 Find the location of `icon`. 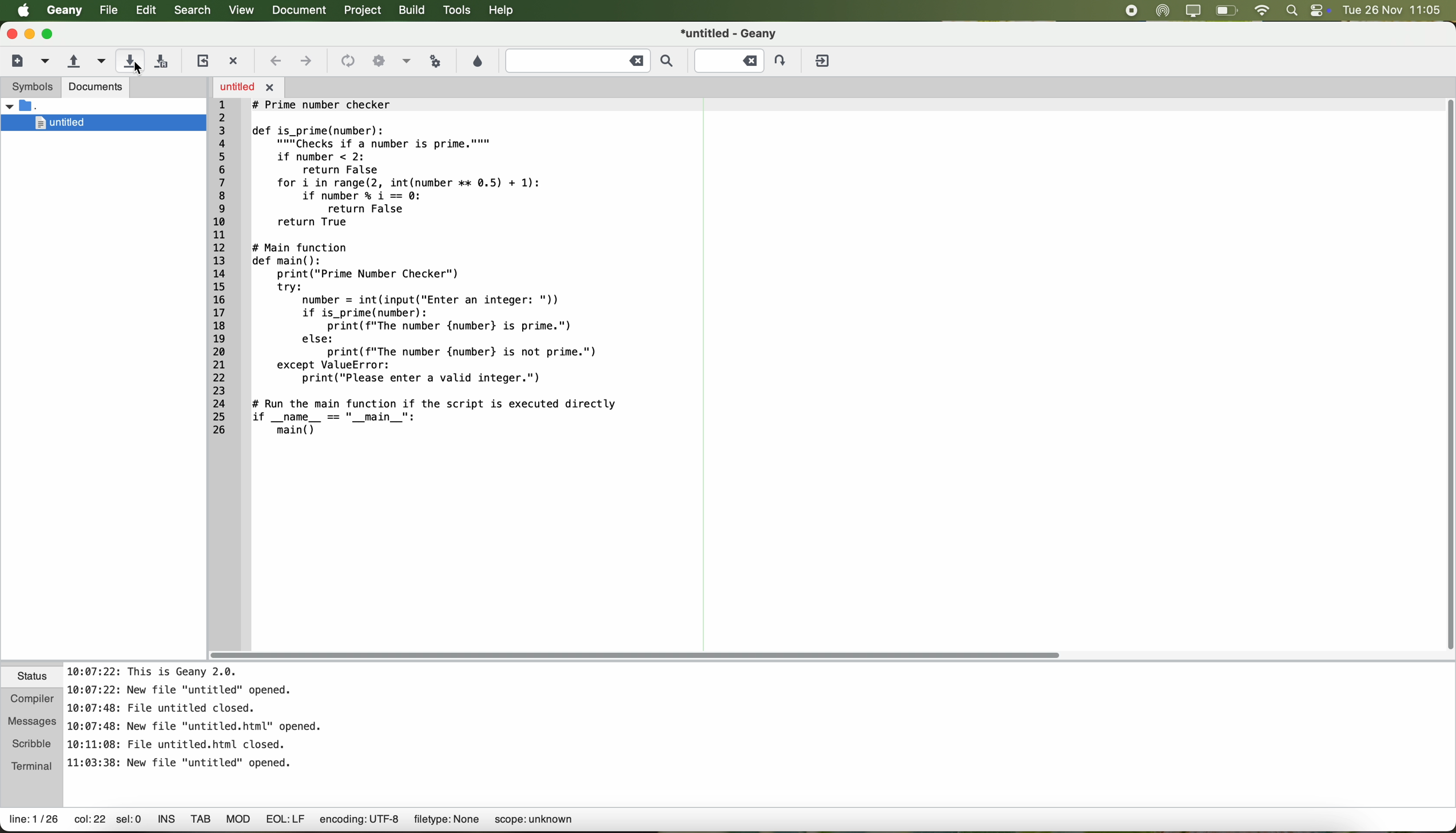

icon is located at coordinates (377, 59).